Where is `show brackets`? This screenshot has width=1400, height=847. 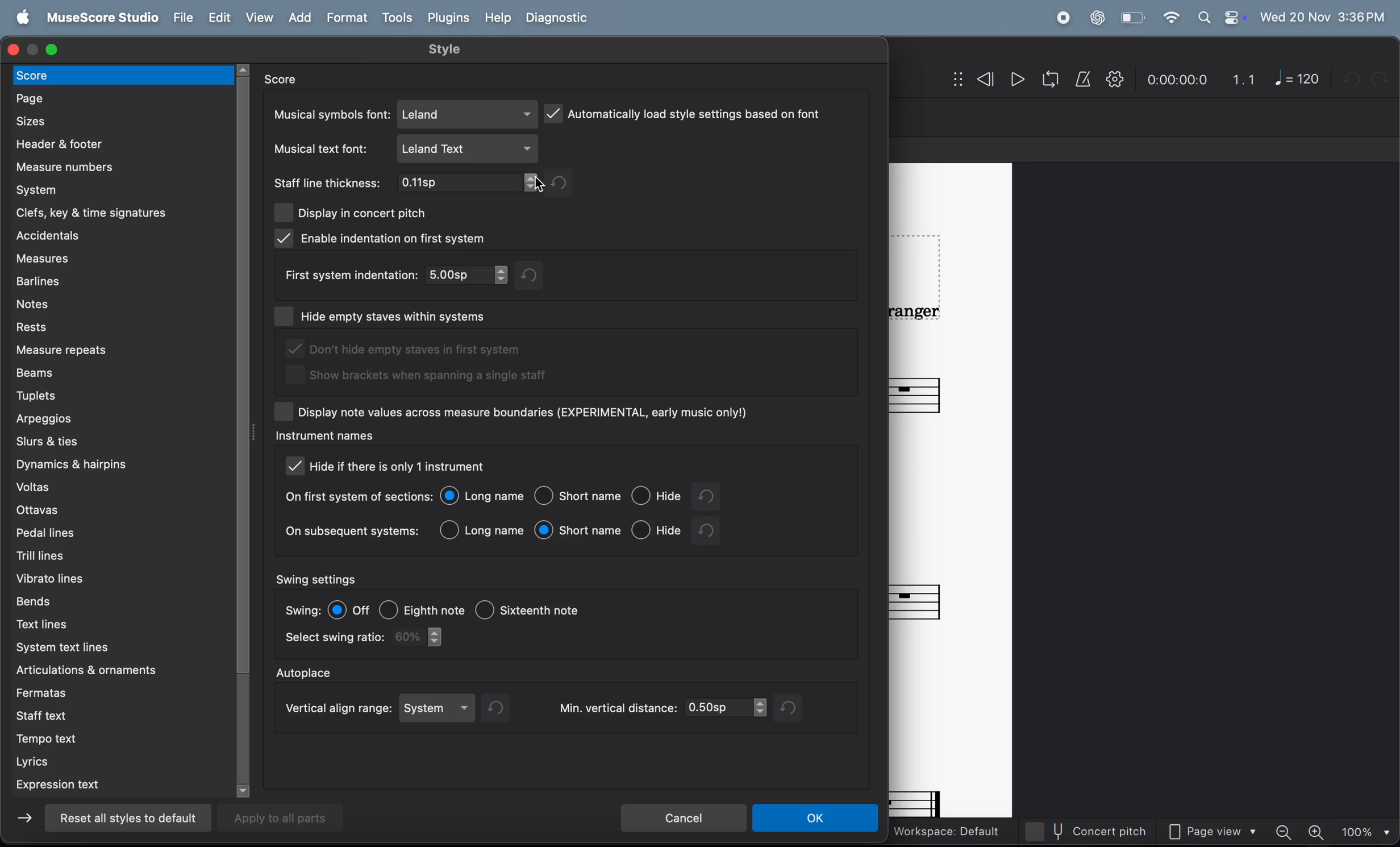
show brackets is located at coordinates (419, 379).